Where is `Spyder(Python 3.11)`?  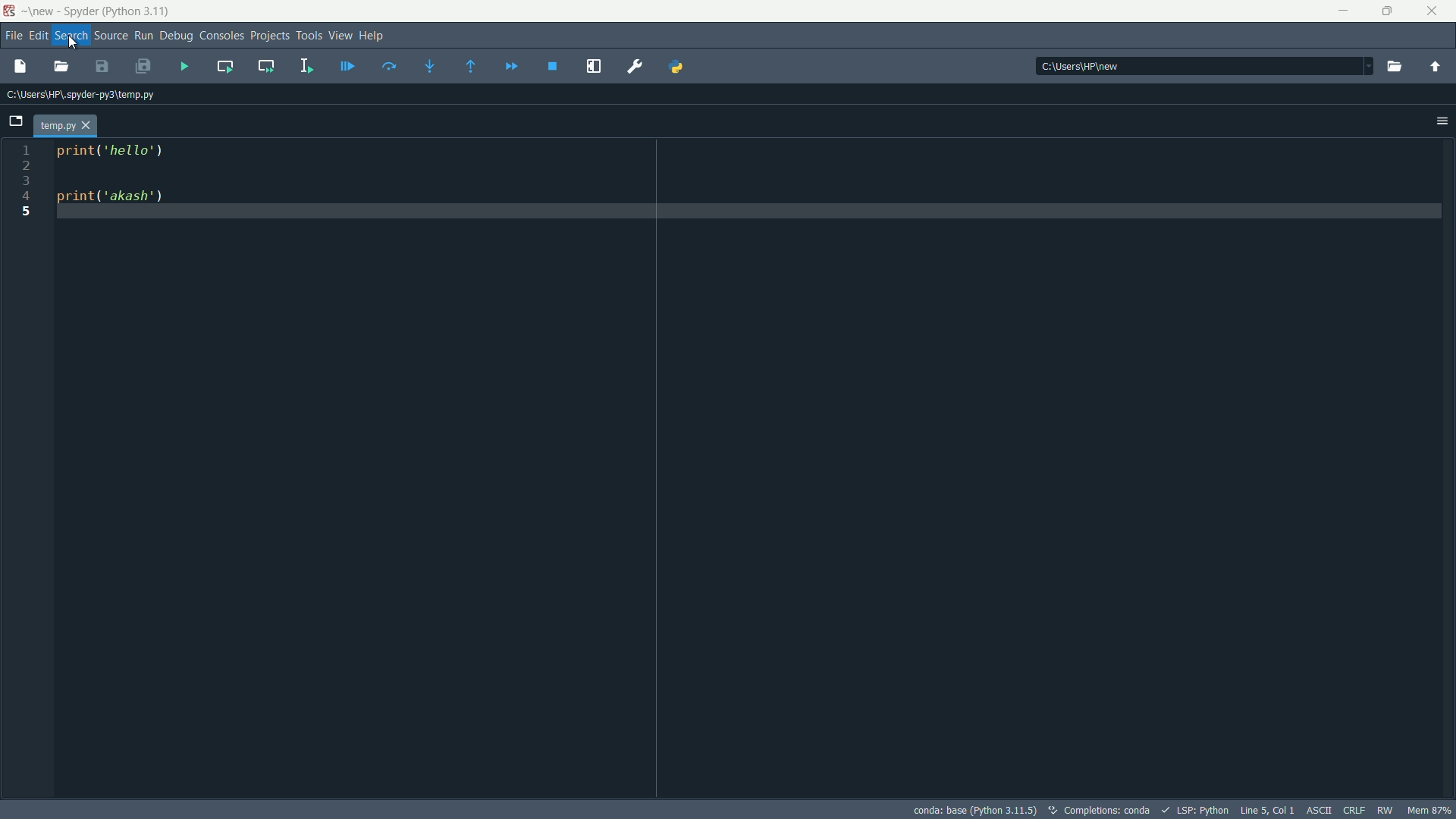
Spyder(Python 3.11) is located at coordinates (101, 11).